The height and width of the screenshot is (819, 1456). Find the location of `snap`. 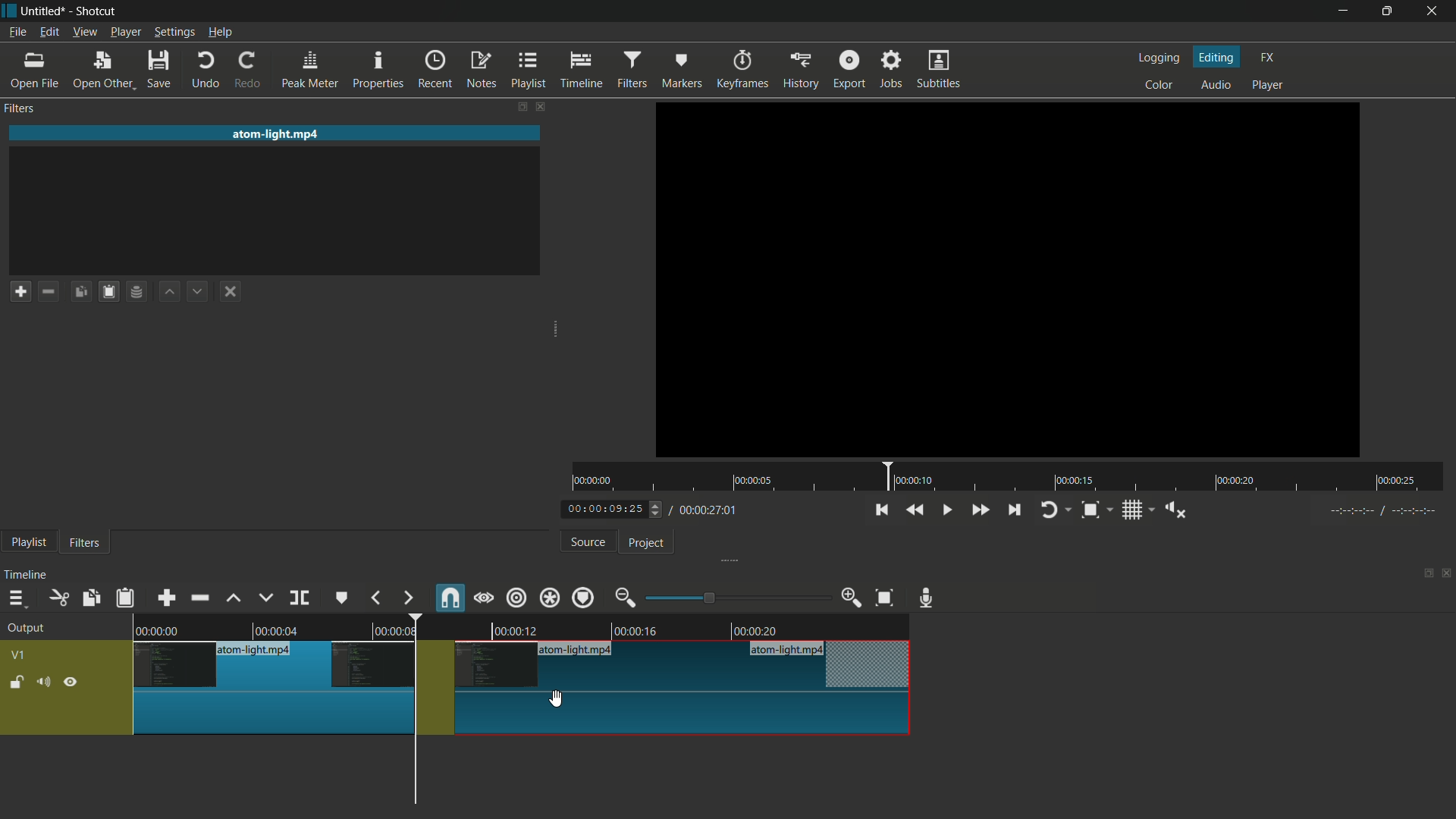

snap is located at coordinates (448, 597).